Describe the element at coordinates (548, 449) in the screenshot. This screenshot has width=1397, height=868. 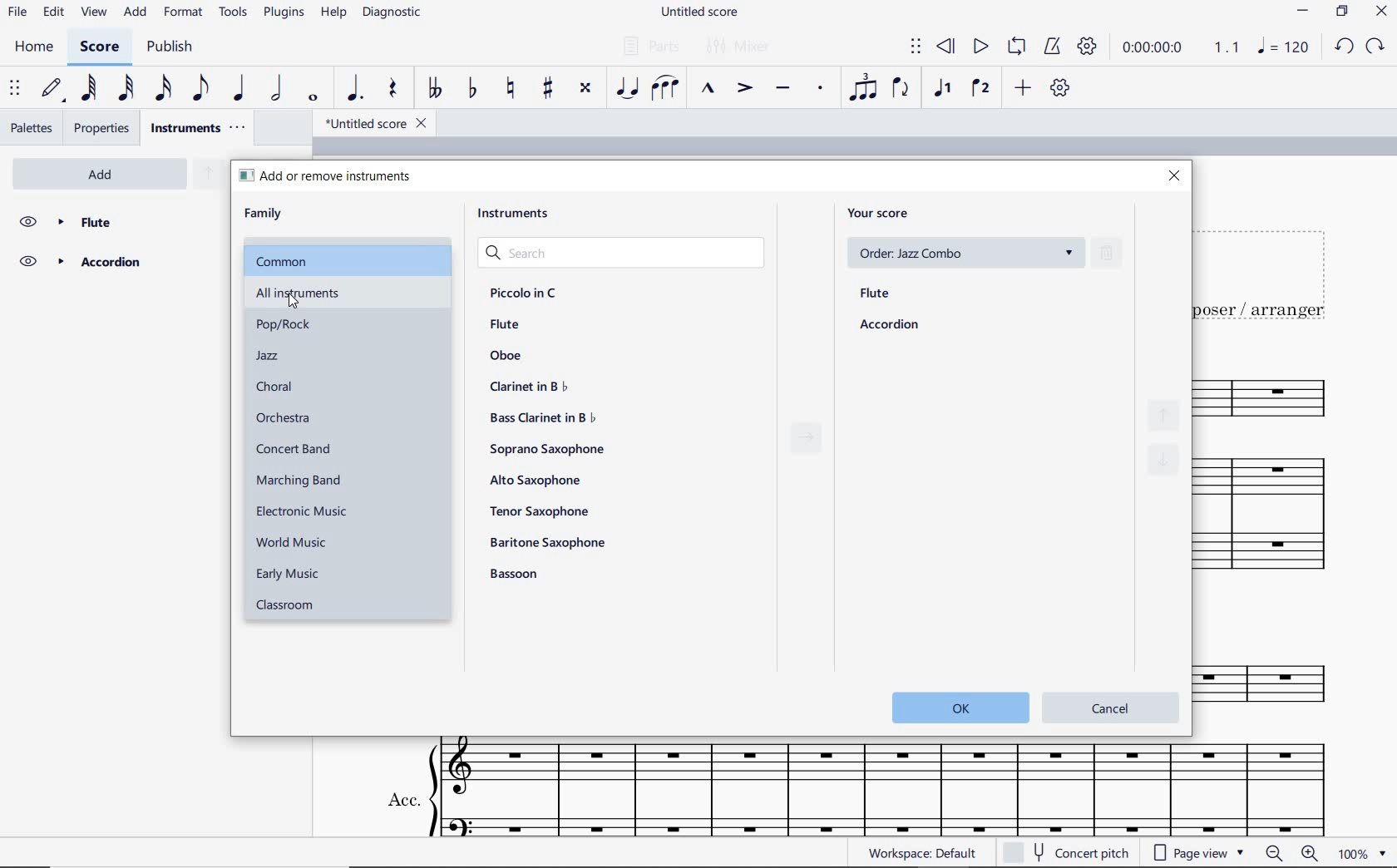
I see `soprano saxophone` at that location.